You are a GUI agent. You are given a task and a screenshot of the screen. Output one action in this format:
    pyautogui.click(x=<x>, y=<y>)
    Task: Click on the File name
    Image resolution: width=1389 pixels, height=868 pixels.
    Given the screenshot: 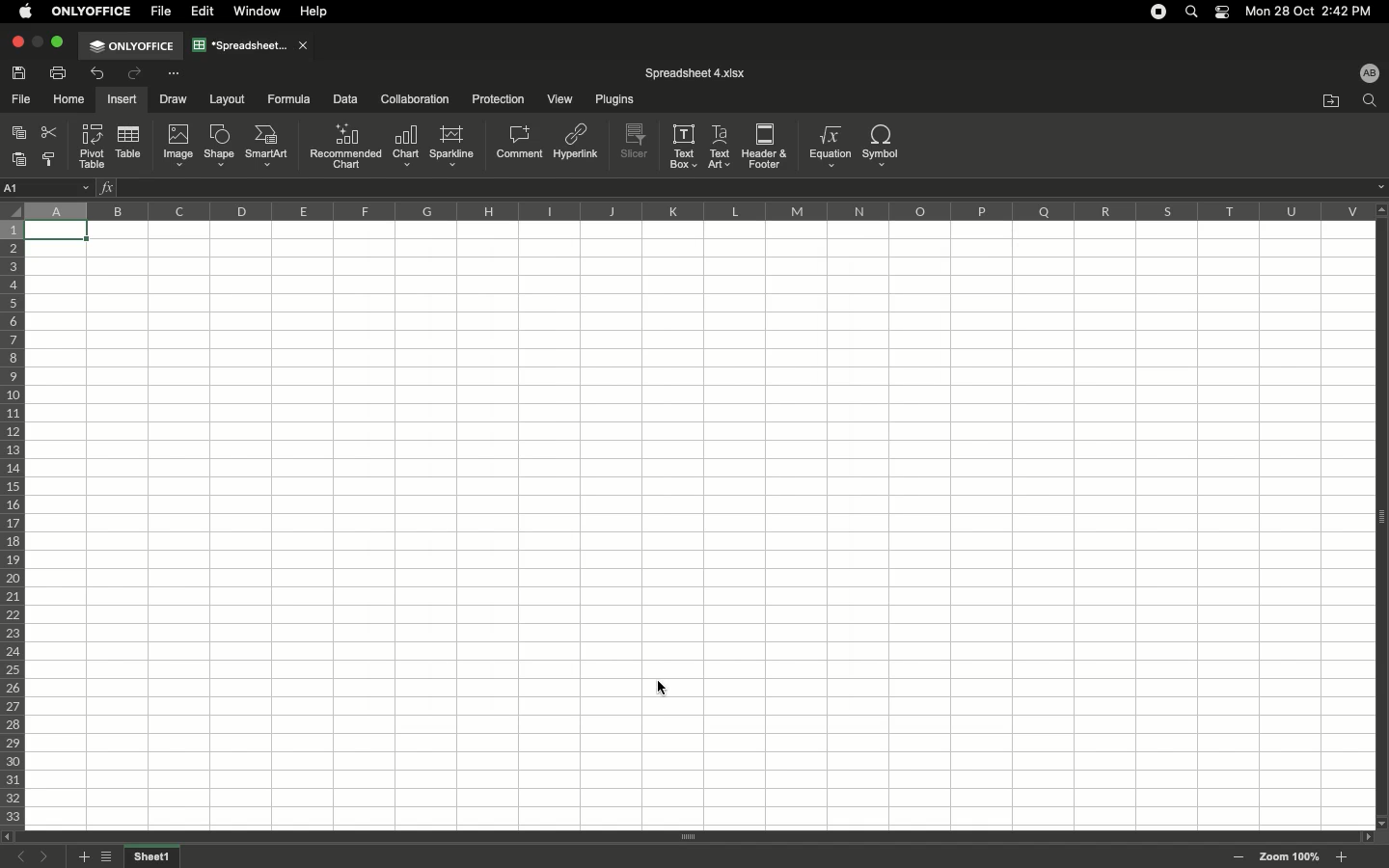 What is the action you would take?
    pyautogui.click(x=695, y=73)
    